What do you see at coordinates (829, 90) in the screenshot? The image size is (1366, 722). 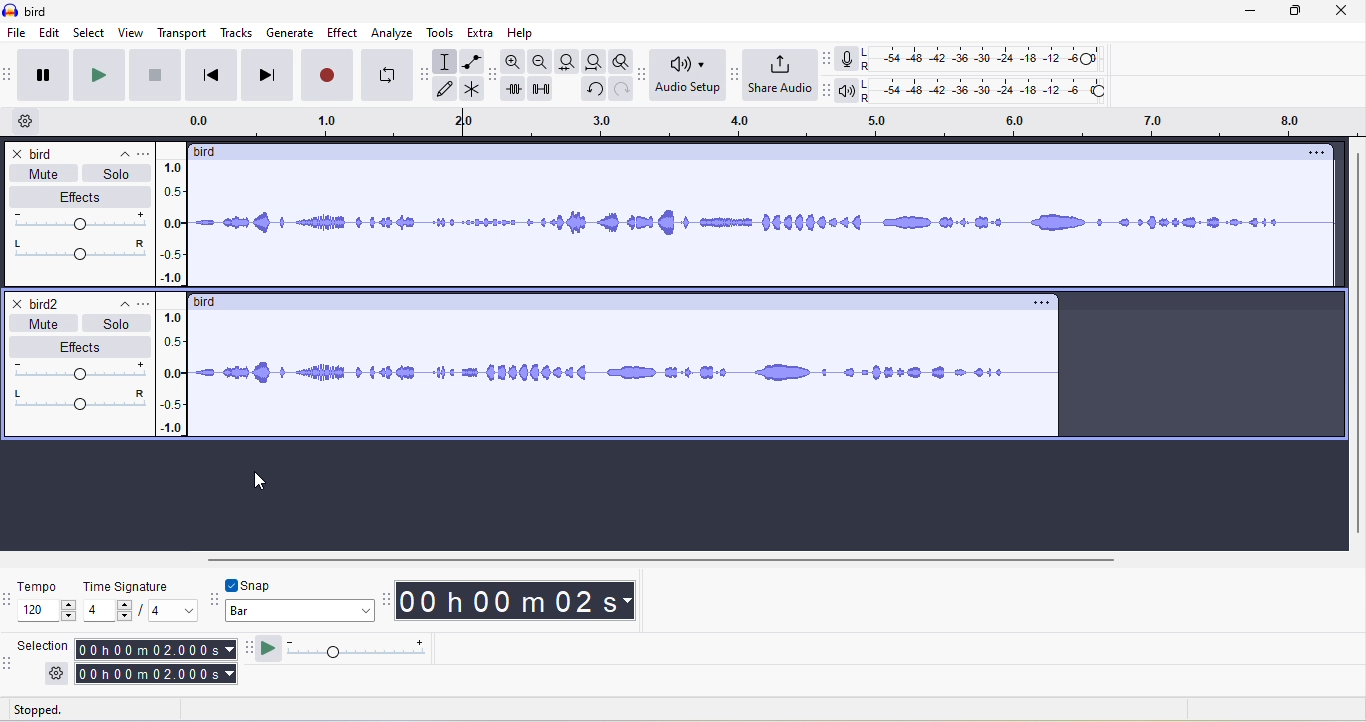 I see `audacity playback meter toolbar` at bounding box center [829, 90].